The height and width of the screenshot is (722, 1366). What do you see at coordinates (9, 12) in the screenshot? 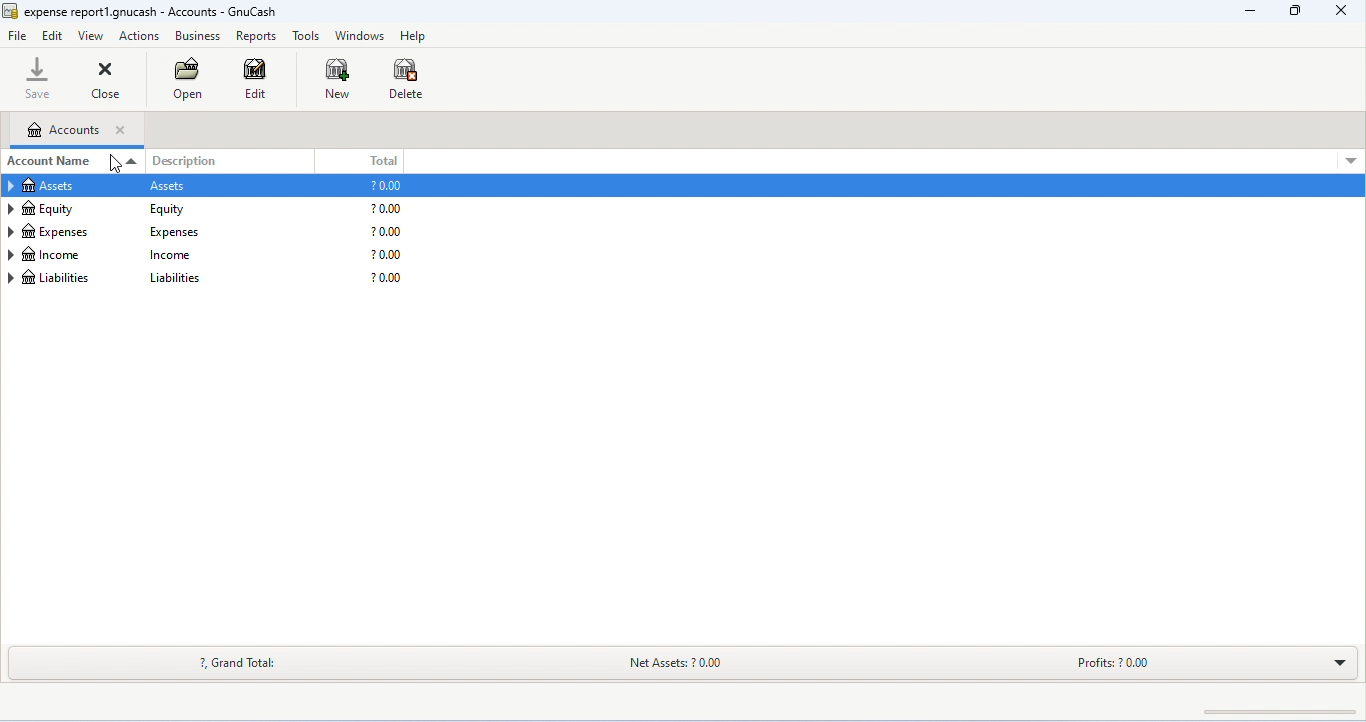
I see `icon` at bounding box center [9, 12].